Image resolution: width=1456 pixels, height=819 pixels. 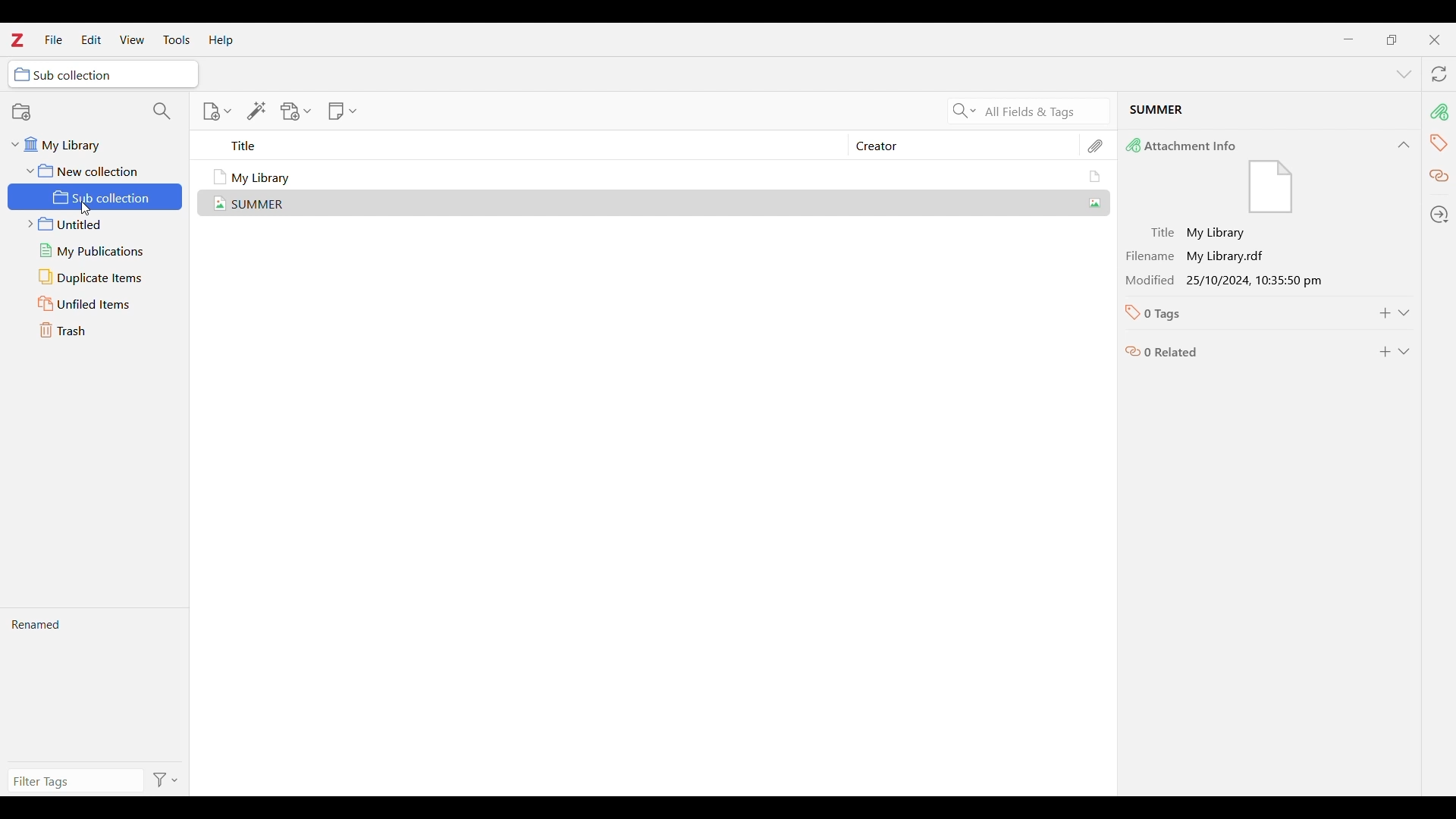 I want to click on Modification 25/10/2024 10:35:50 pm, so click(x=1241, y=280).